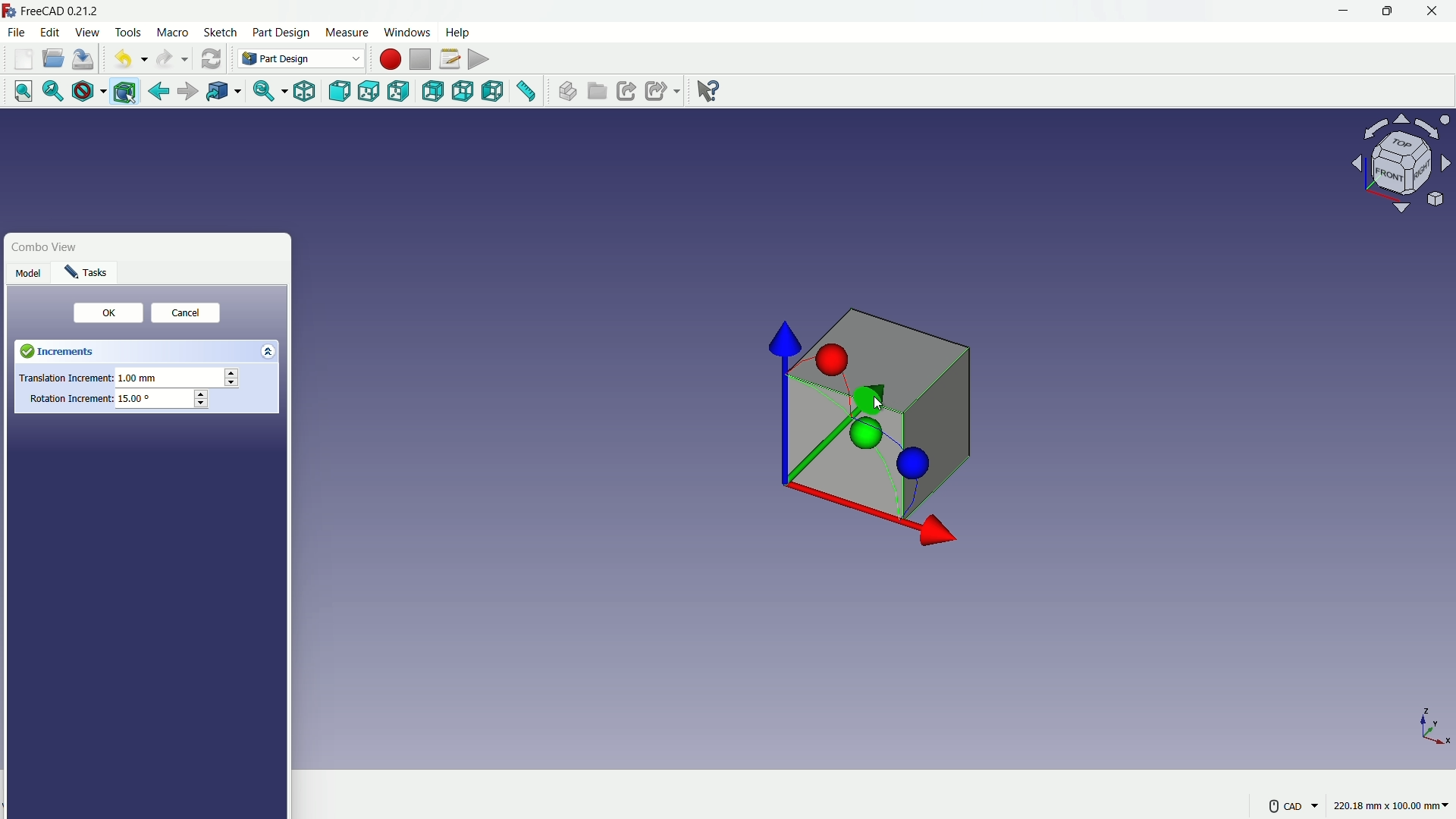 This screenshot has width=1456, height=819. I want to click on bounding box, so click(127, 93).